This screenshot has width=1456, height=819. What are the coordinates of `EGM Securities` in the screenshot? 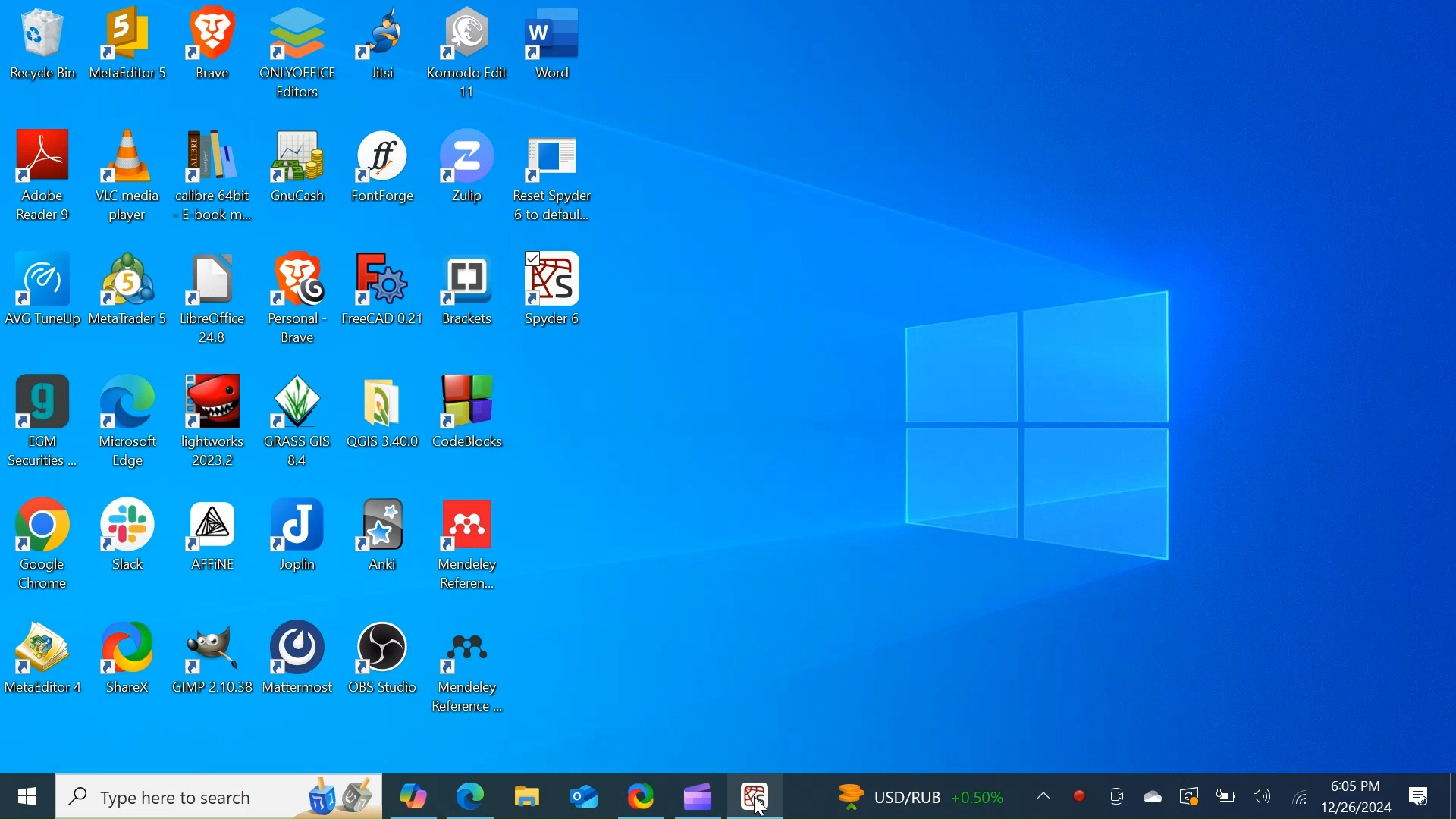 It's located at (43, 422).